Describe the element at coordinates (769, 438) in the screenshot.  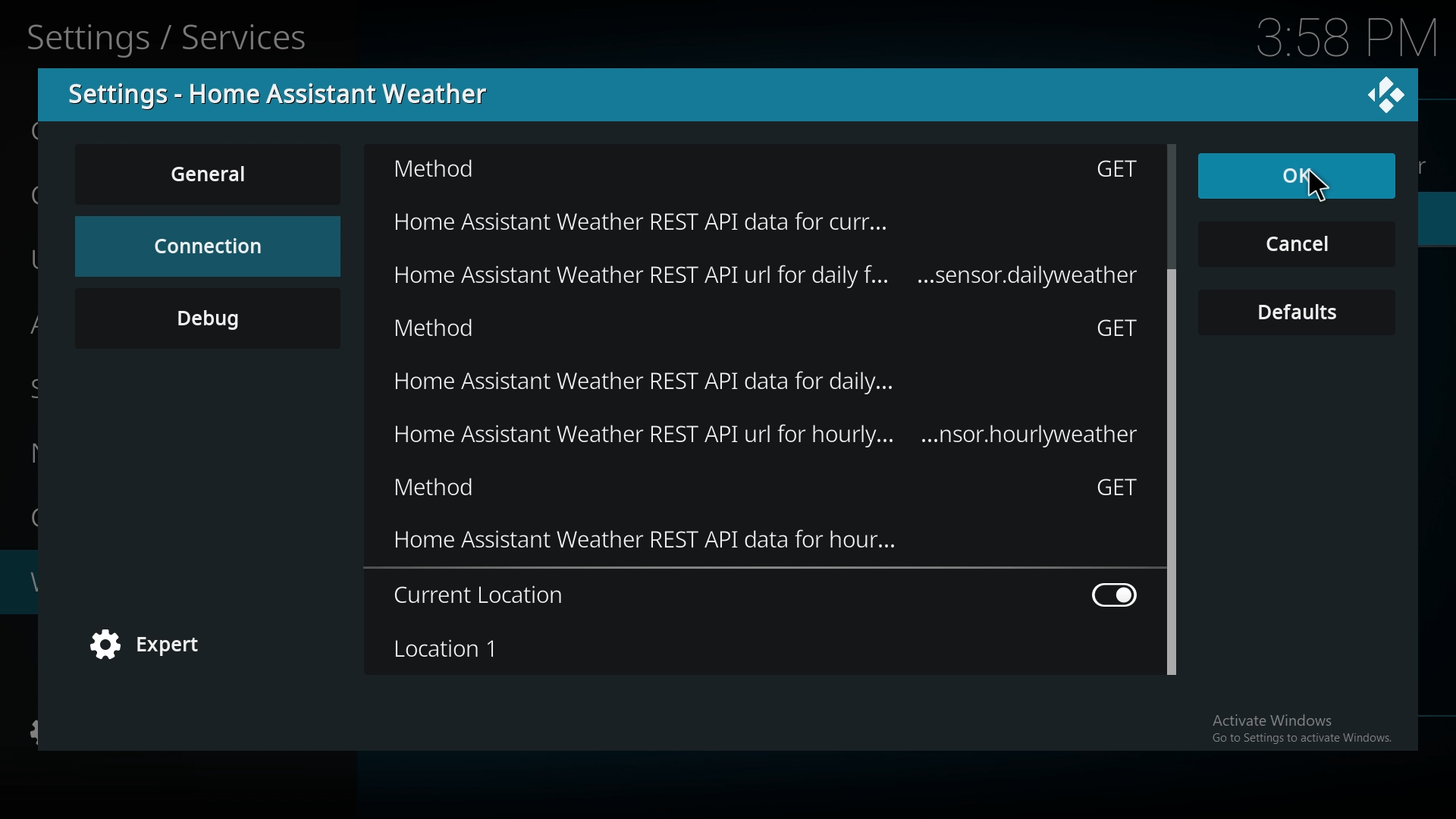
I see `home assistant weather rest api url` at that location.